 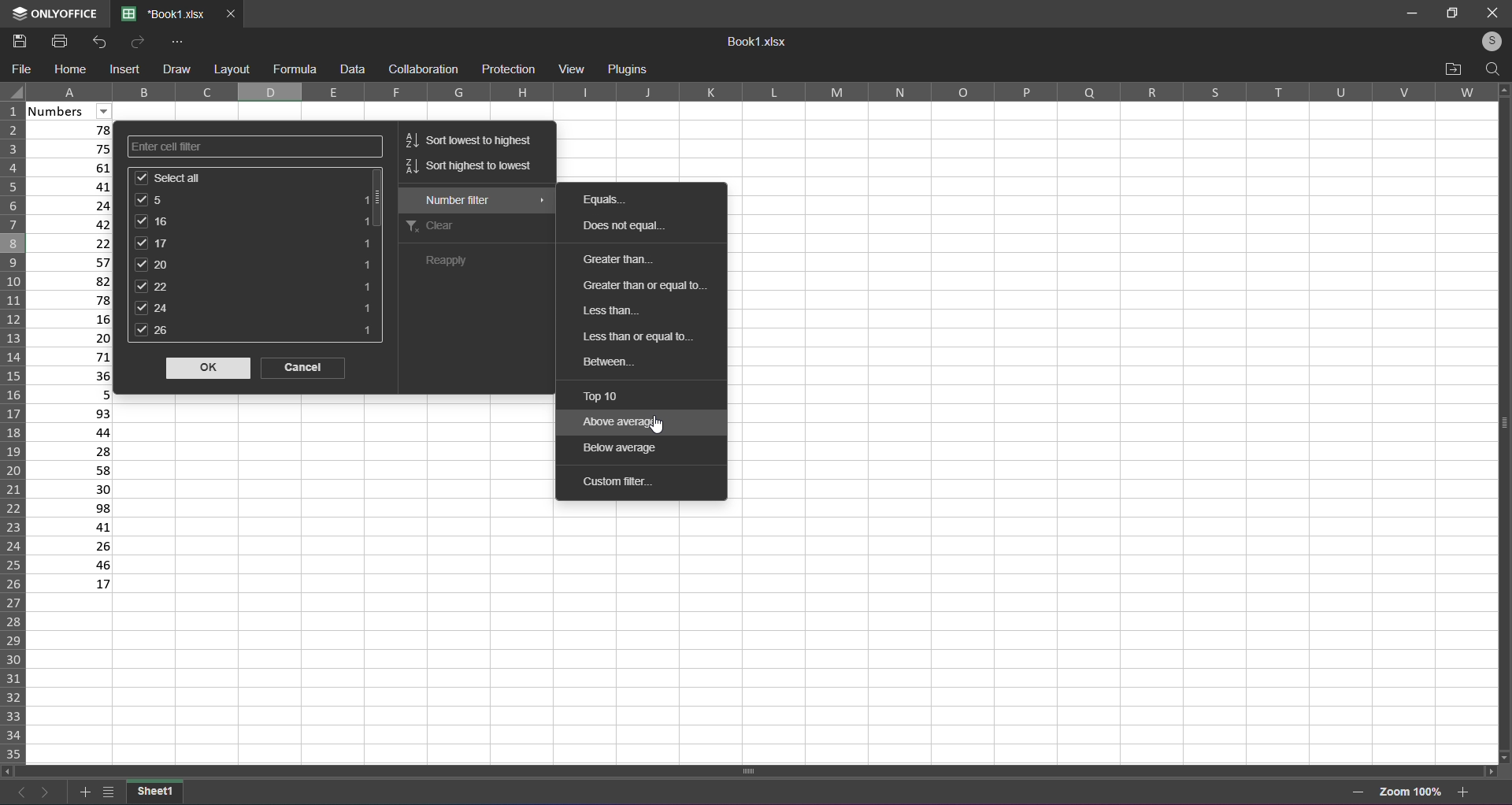 What do you see at coordinates (135, 42) in the screenshot?
I see `redo` at bounding box center [135, 42].